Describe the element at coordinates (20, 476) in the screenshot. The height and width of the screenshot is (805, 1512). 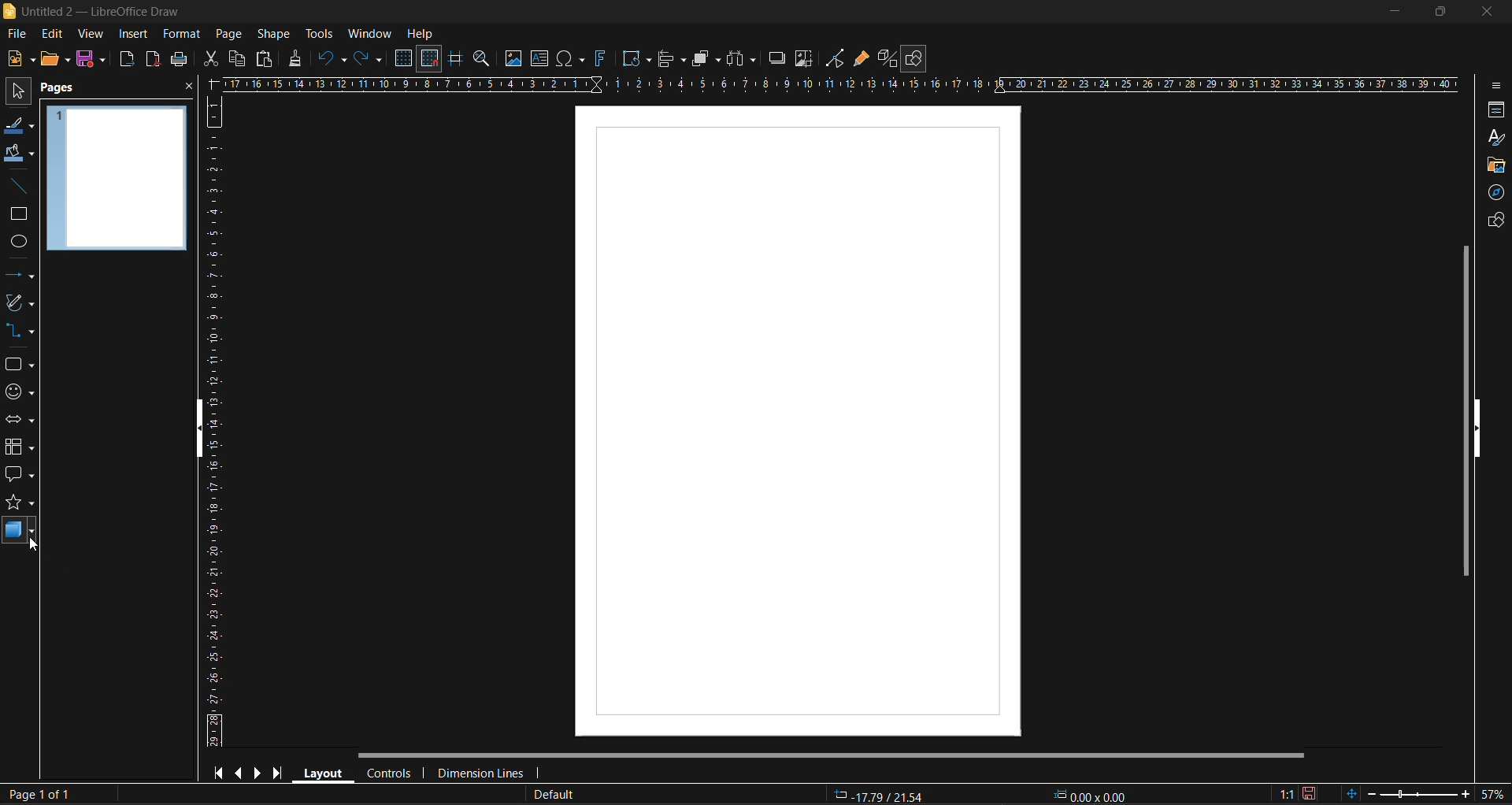
I see `callout shapes` at that location.